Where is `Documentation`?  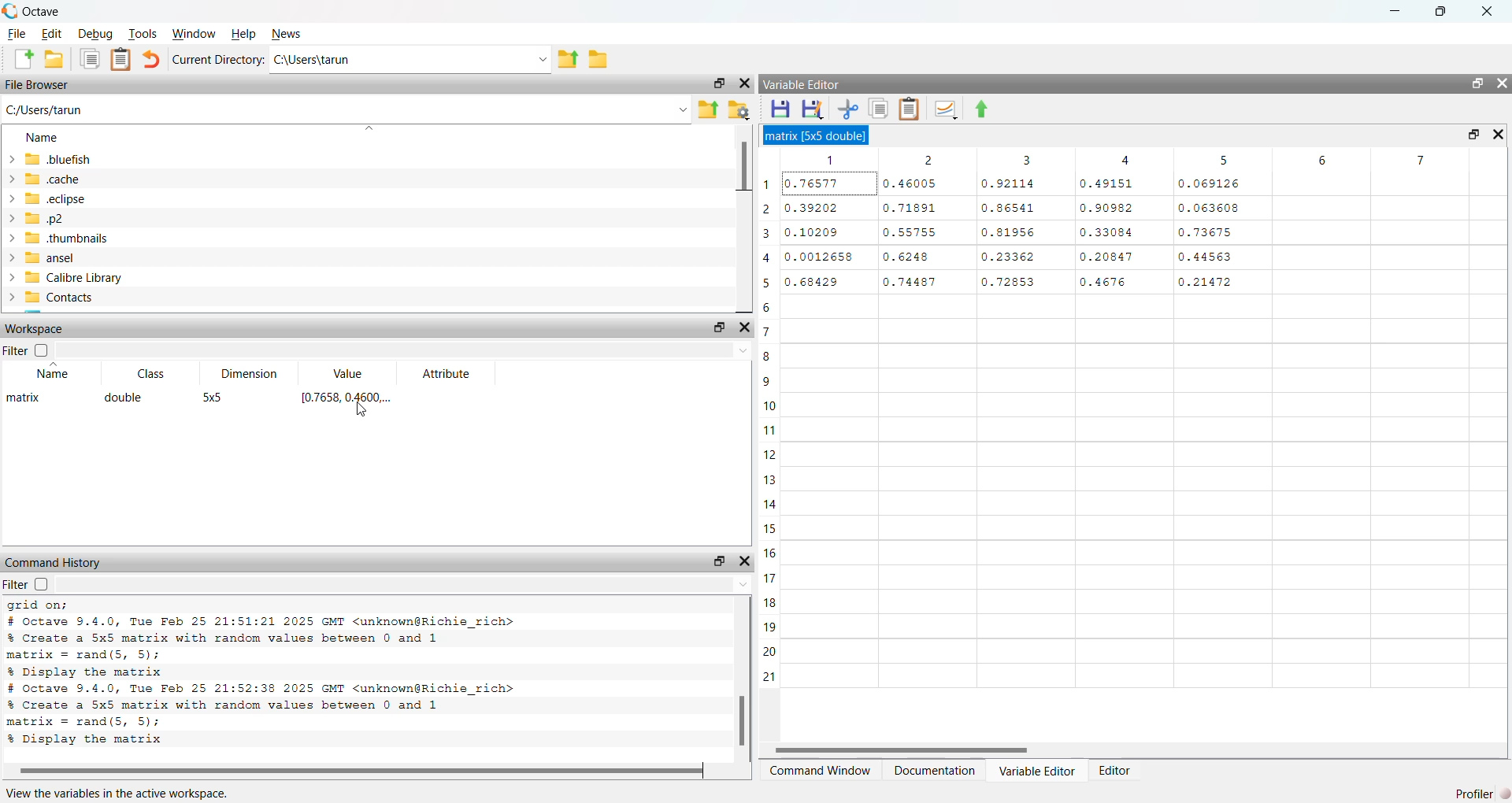
Documentation is located at coordinates (933, 773).